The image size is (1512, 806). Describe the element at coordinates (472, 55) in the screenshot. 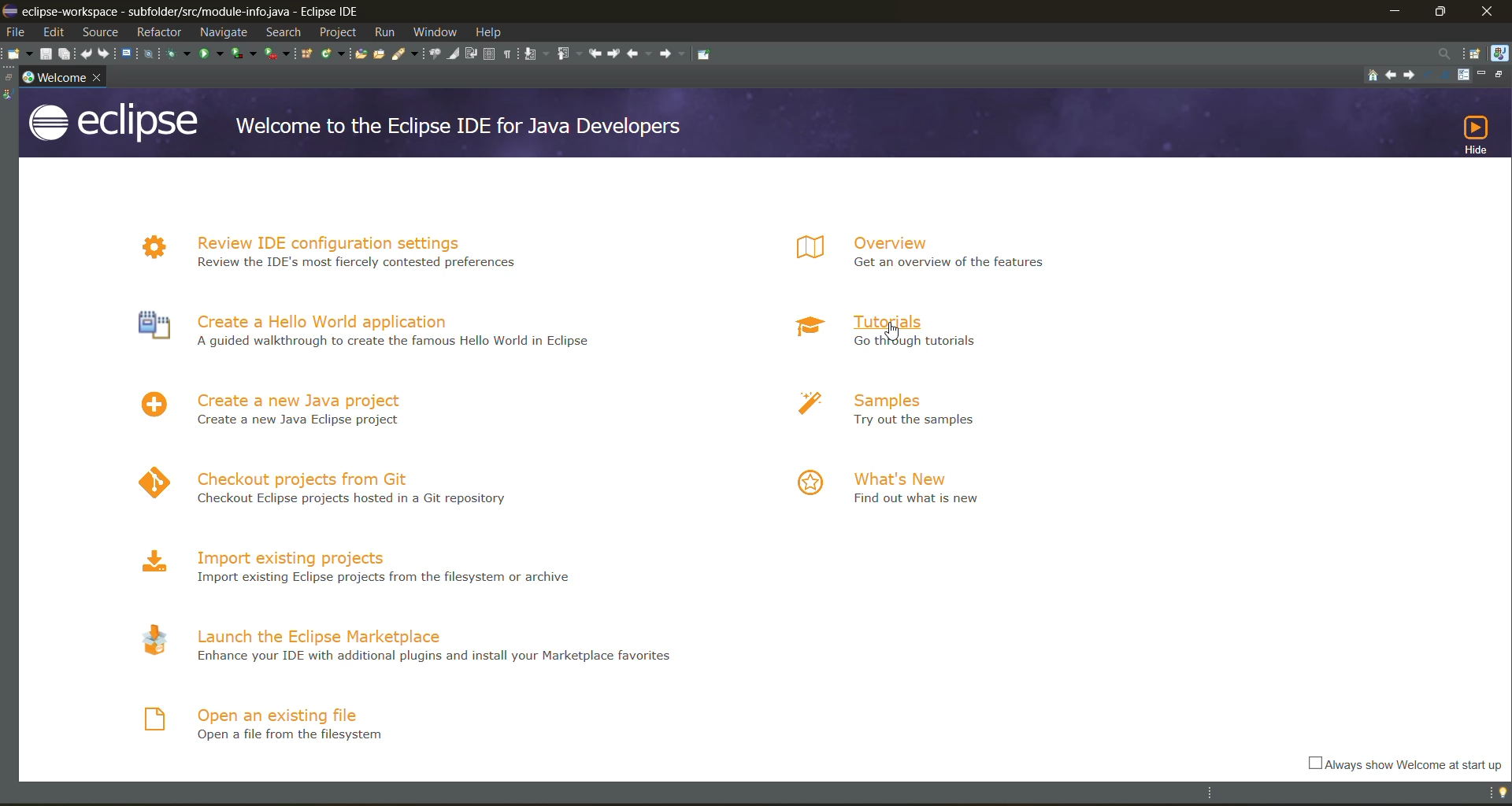

I see `toggle word wrap` at that location.